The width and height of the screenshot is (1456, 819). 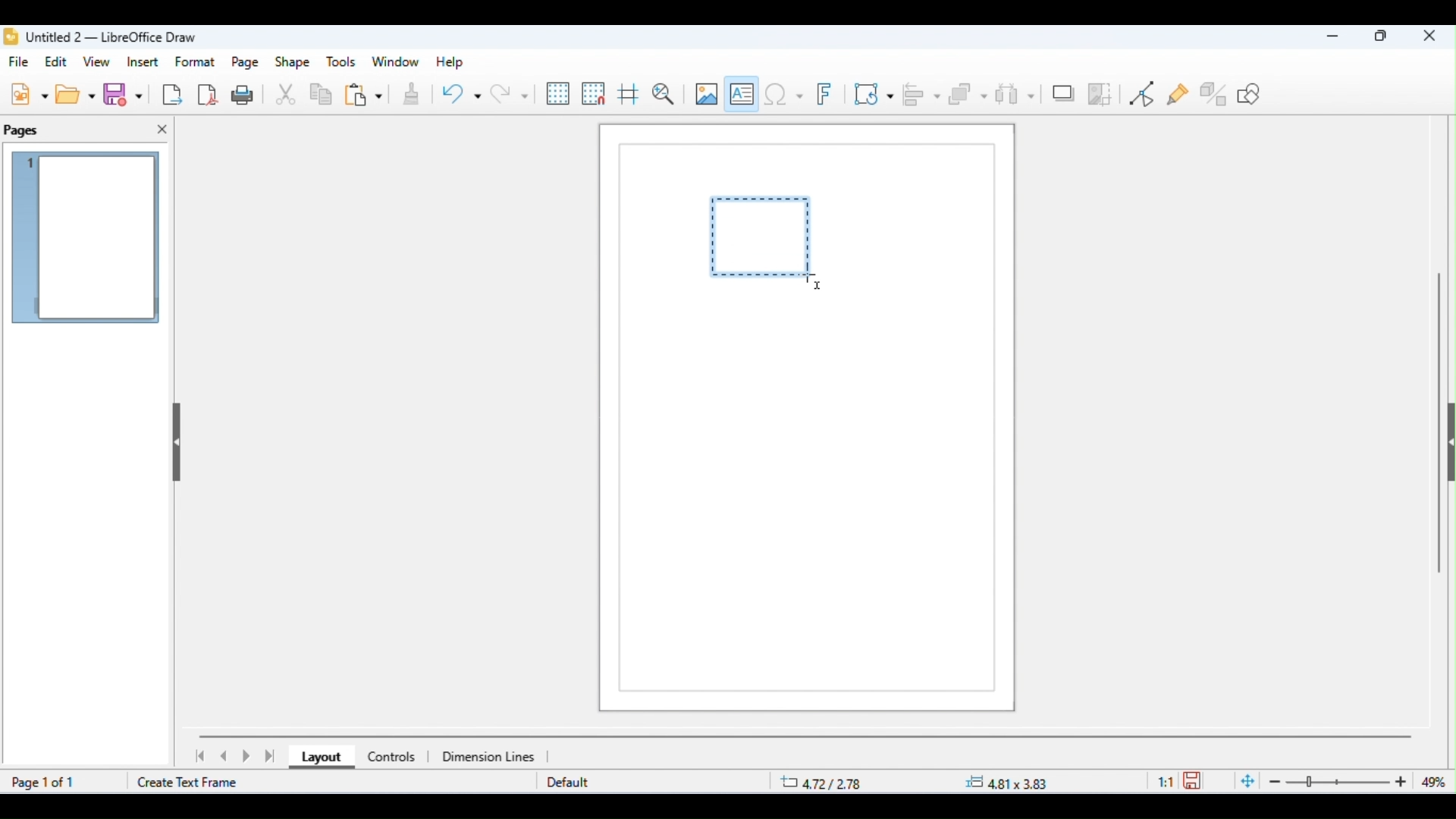 I want to click on paste, so click(x=363, y=96).